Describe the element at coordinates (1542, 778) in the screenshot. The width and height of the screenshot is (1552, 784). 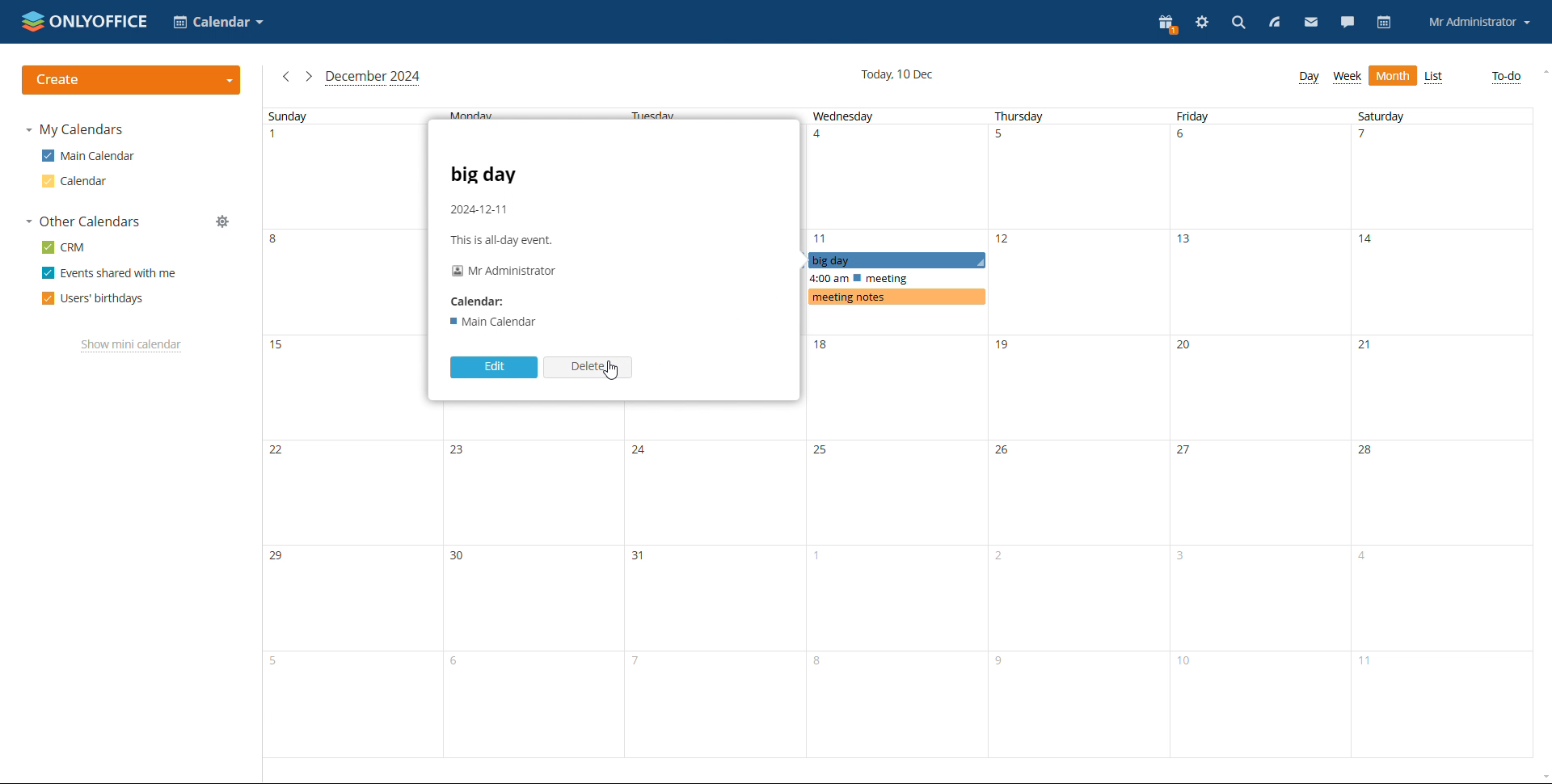
I see `scroll down` at that location.